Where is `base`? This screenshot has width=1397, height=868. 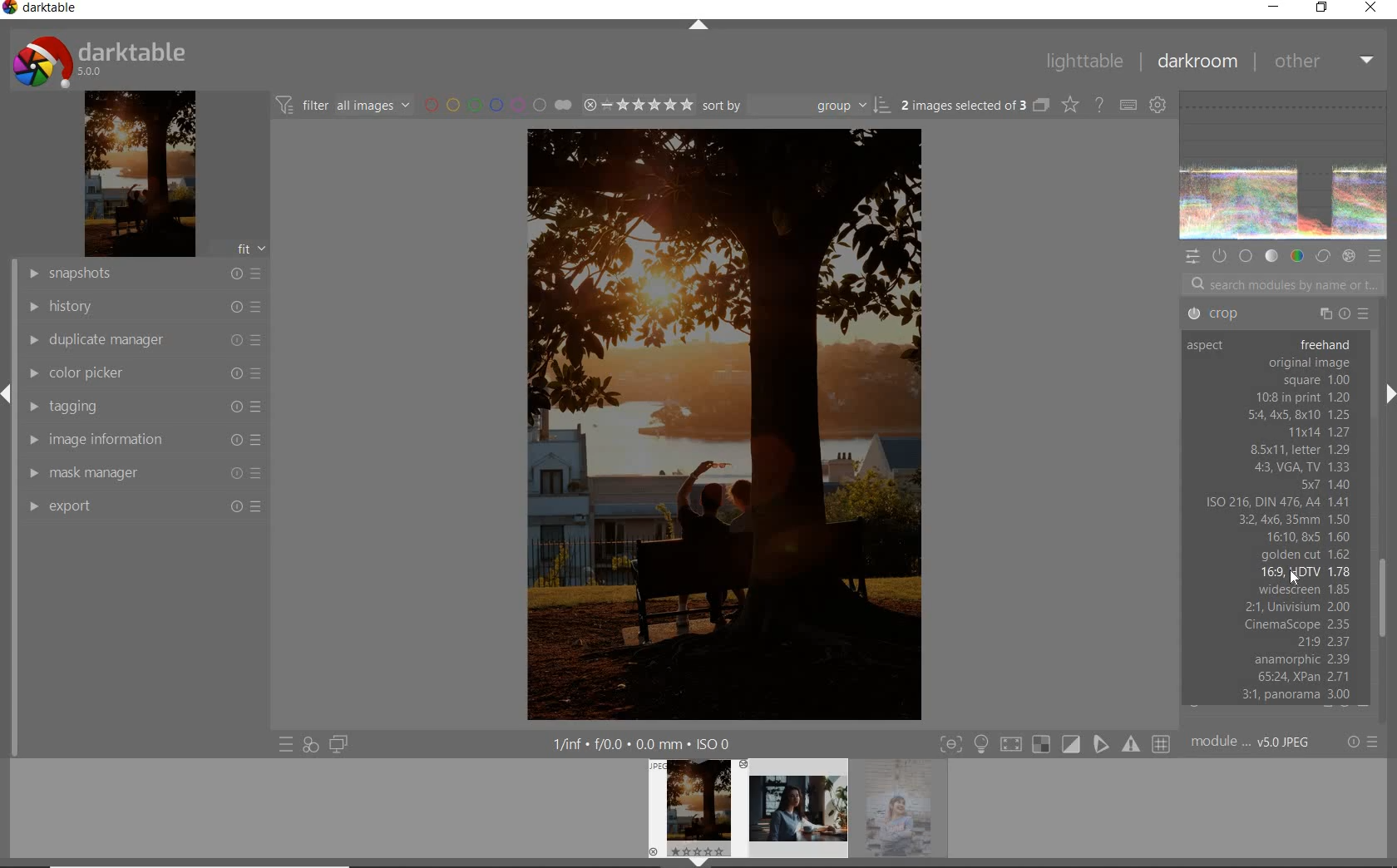
base is located at coordinates (1246, 257).